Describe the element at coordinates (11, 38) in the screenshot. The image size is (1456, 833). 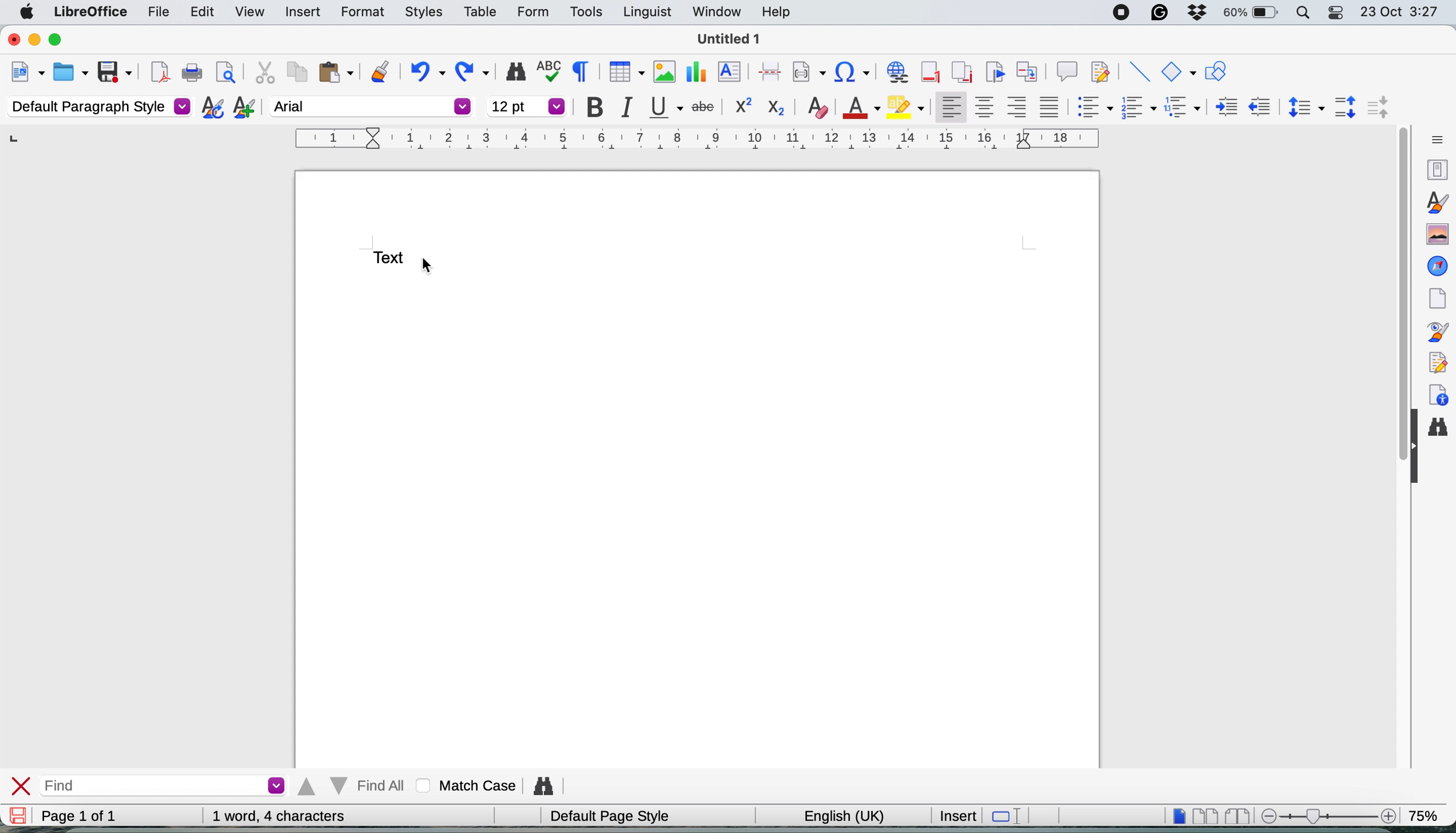
I see `close` at that location.